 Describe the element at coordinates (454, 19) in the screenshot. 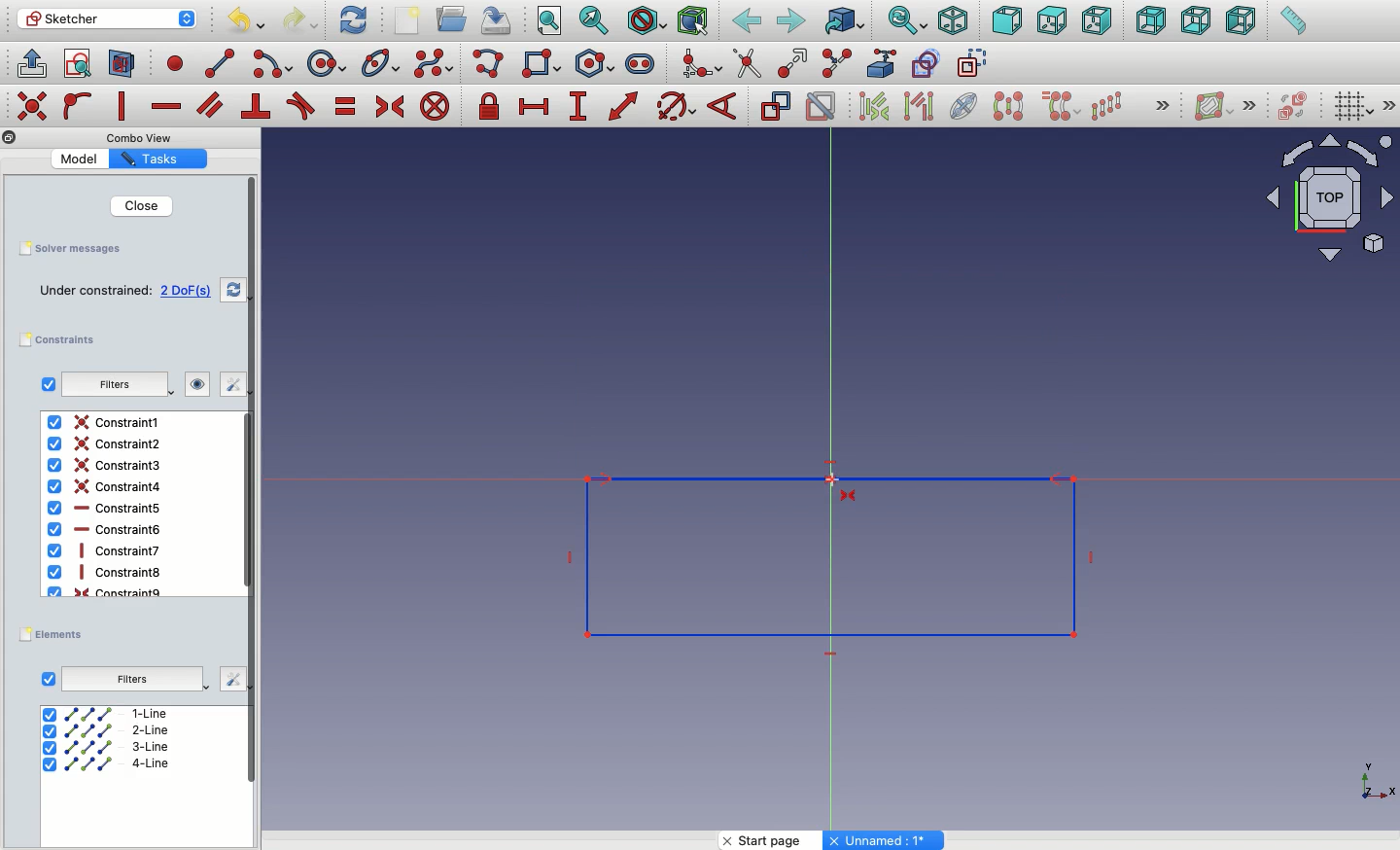

I see `Open` at that location.